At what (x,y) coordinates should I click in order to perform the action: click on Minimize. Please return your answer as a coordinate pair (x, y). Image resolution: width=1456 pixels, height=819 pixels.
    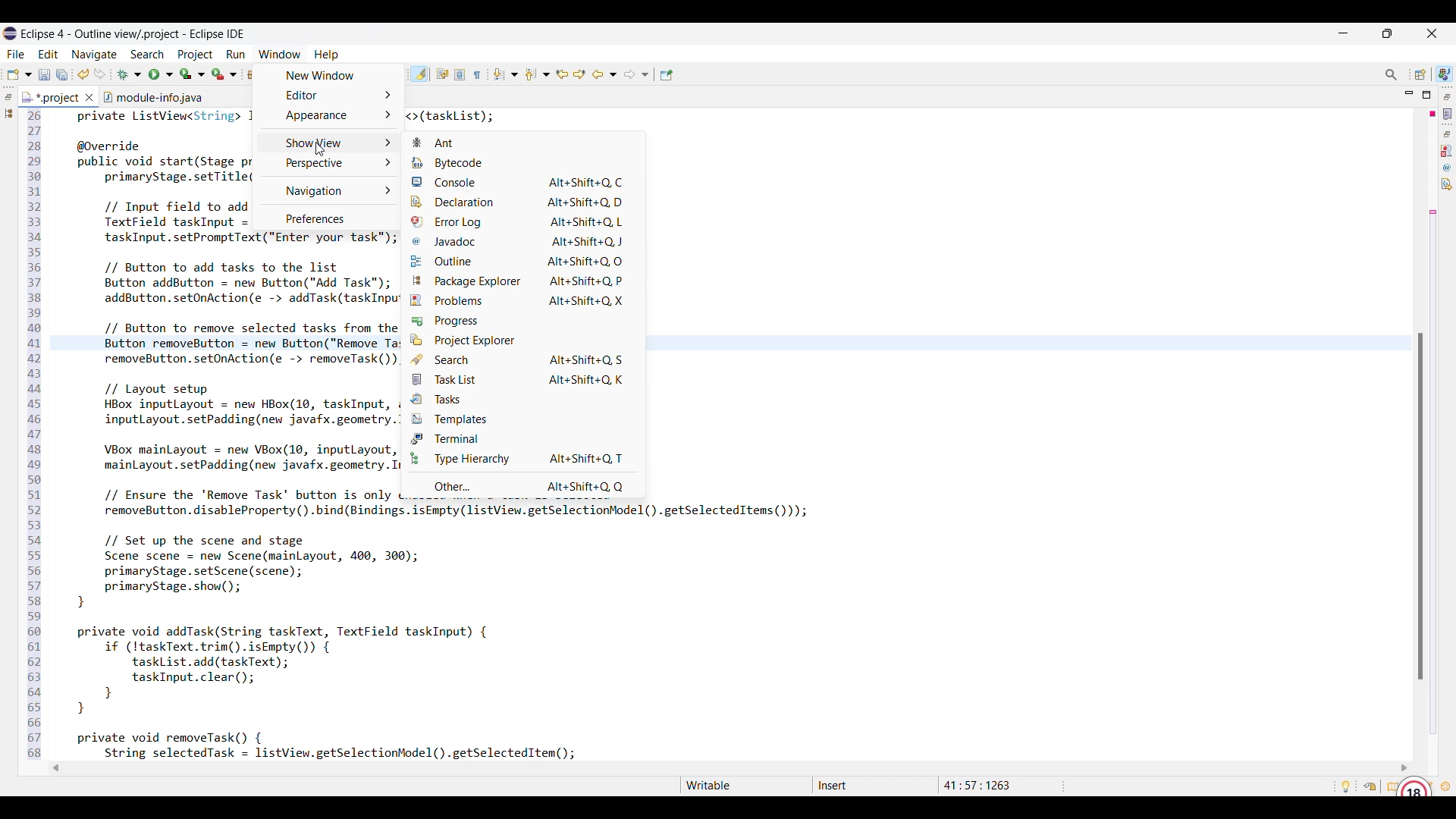
    Looking at the image, I should click on (1344, 33).